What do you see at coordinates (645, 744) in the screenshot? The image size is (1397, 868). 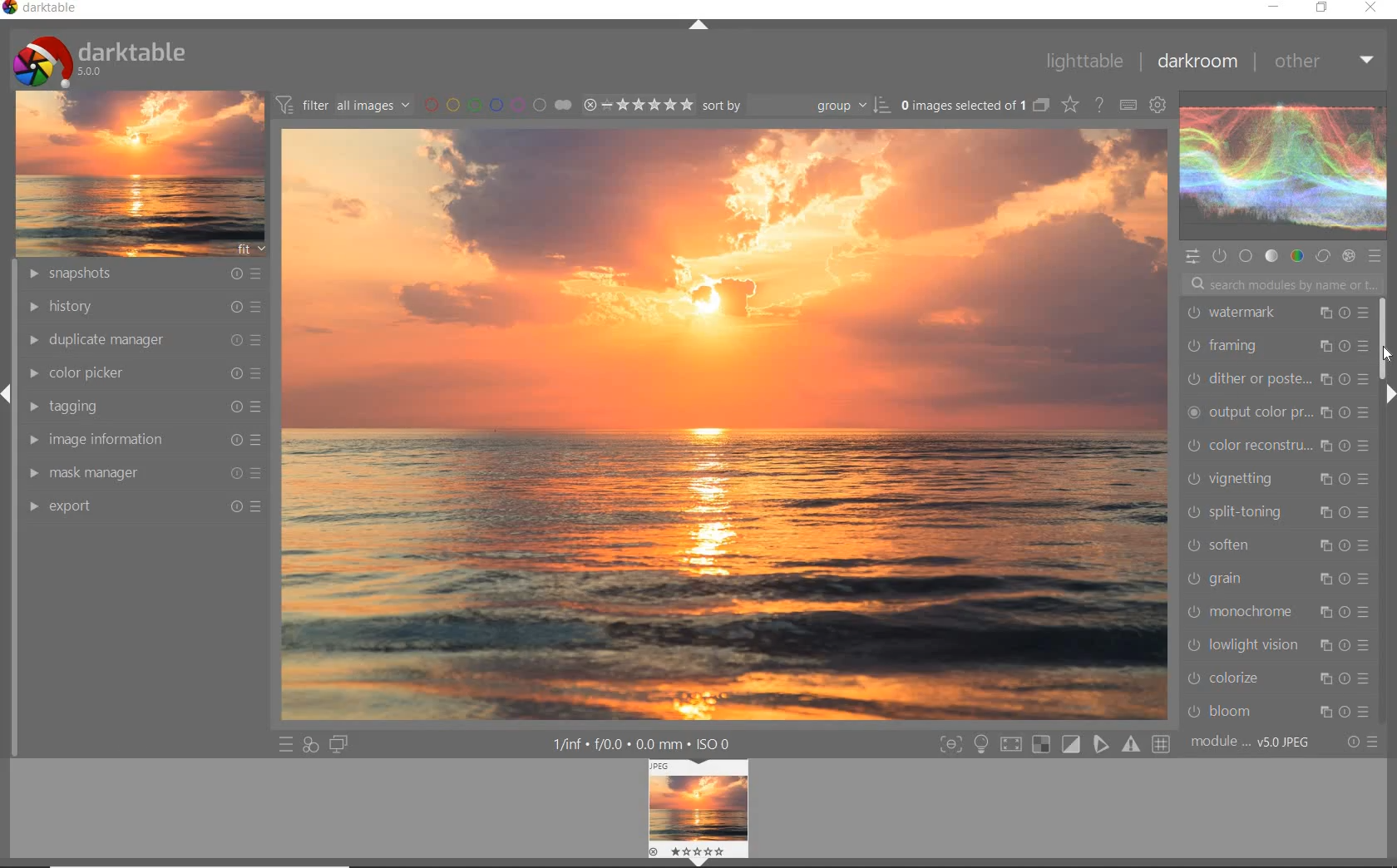 I see `OTHER INTERFACE DETAIL` at bounding box center [645, 744].